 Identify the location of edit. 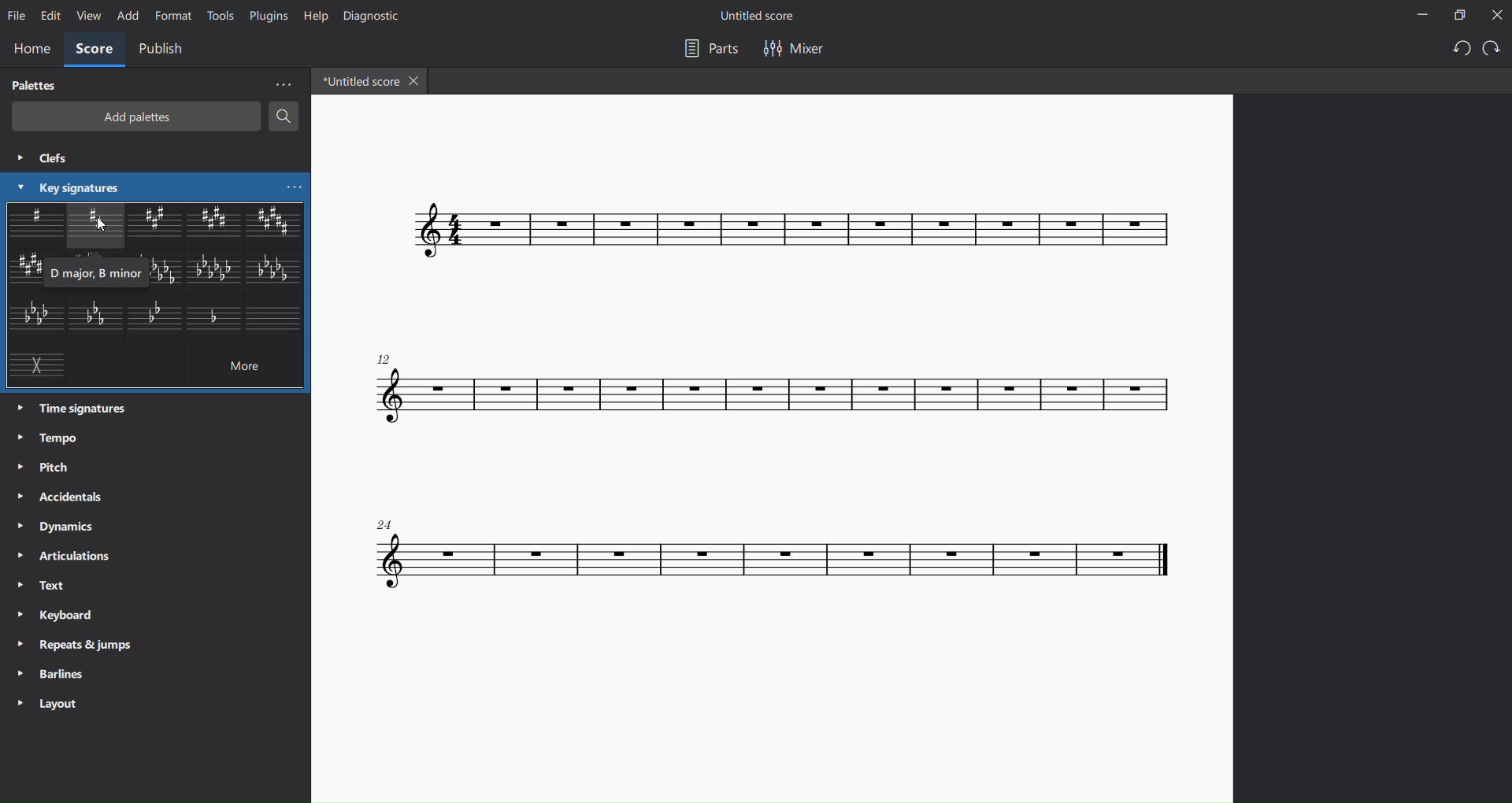
(49, 14).